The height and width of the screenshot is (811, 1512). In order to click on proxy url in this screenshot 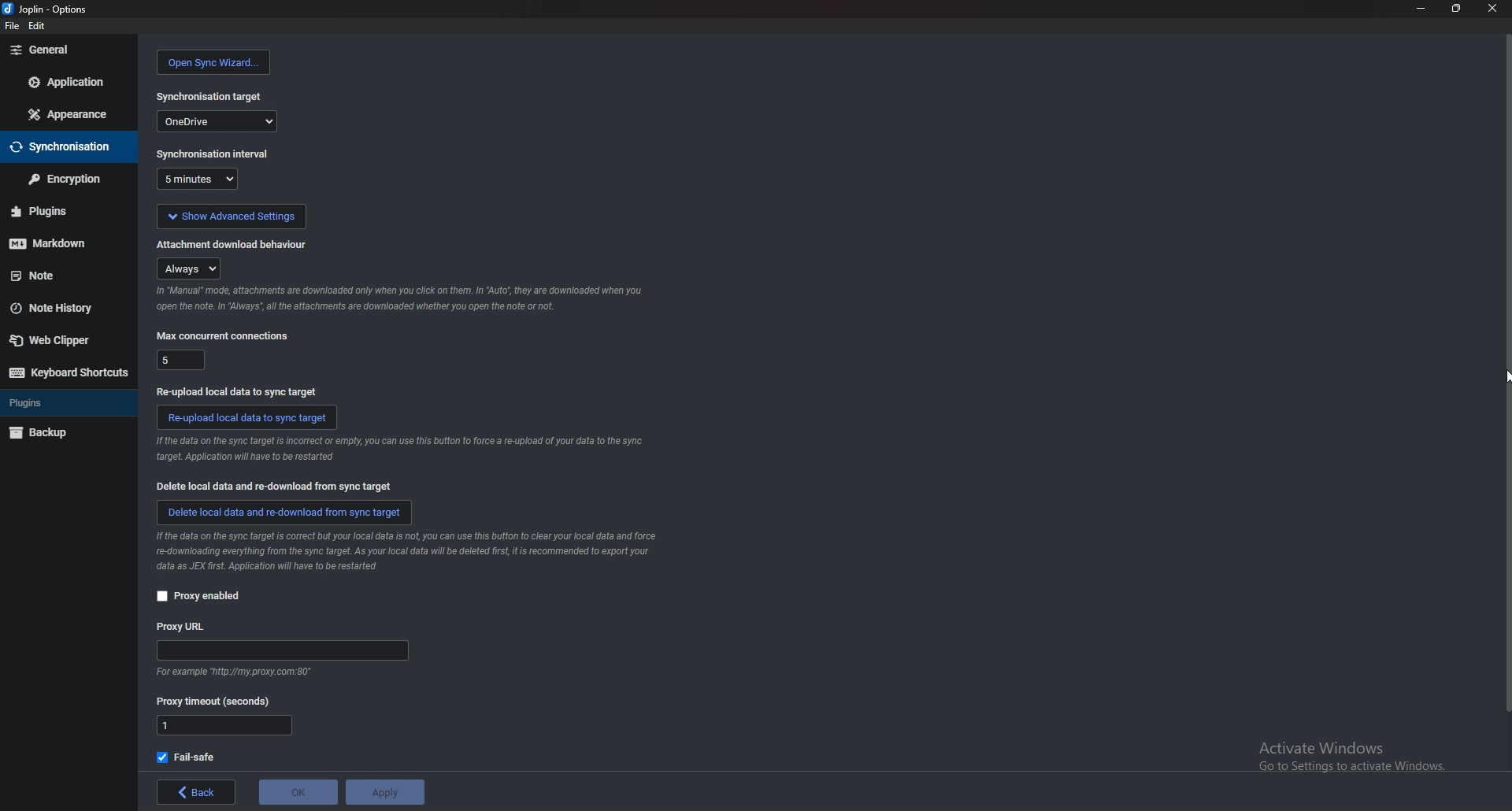, I will do `click(288, 650)`.